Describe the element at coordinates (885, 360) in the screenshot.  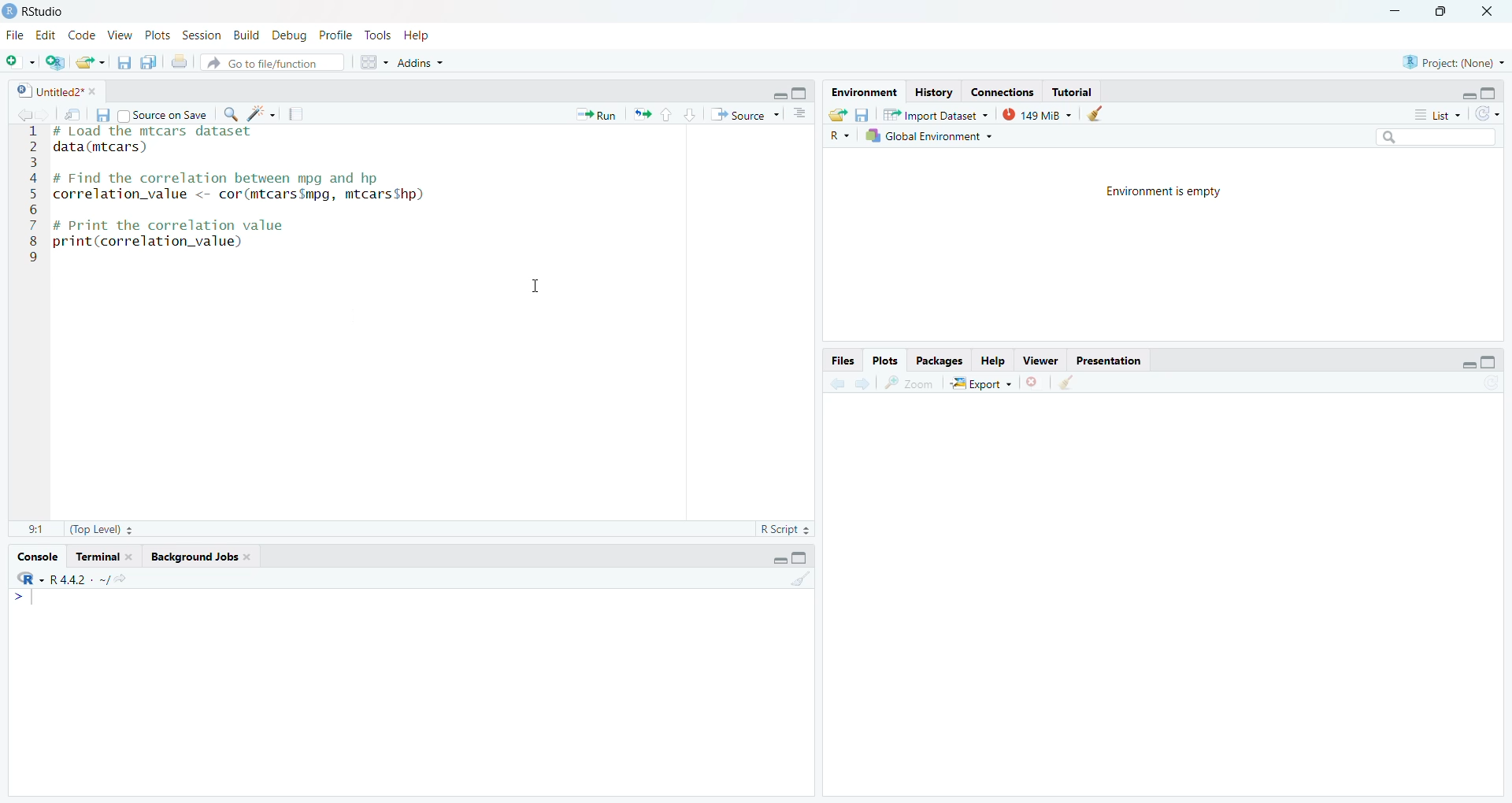
I see `Plots` at that location.